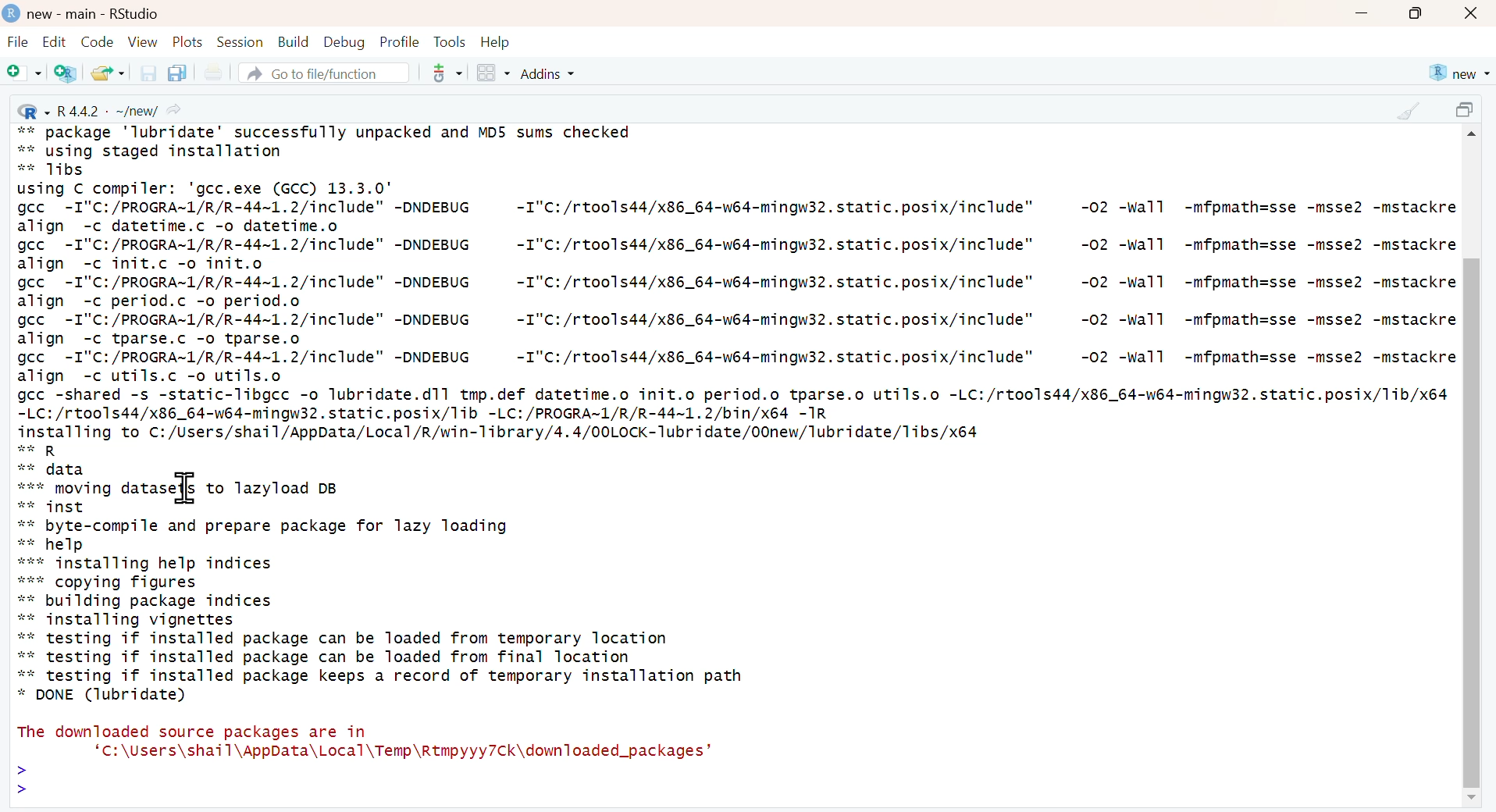 This screenshot has width=1496, height=812. Describe the element at coordinates (343, 41) in the screenshot. I see `Debug` at that location.